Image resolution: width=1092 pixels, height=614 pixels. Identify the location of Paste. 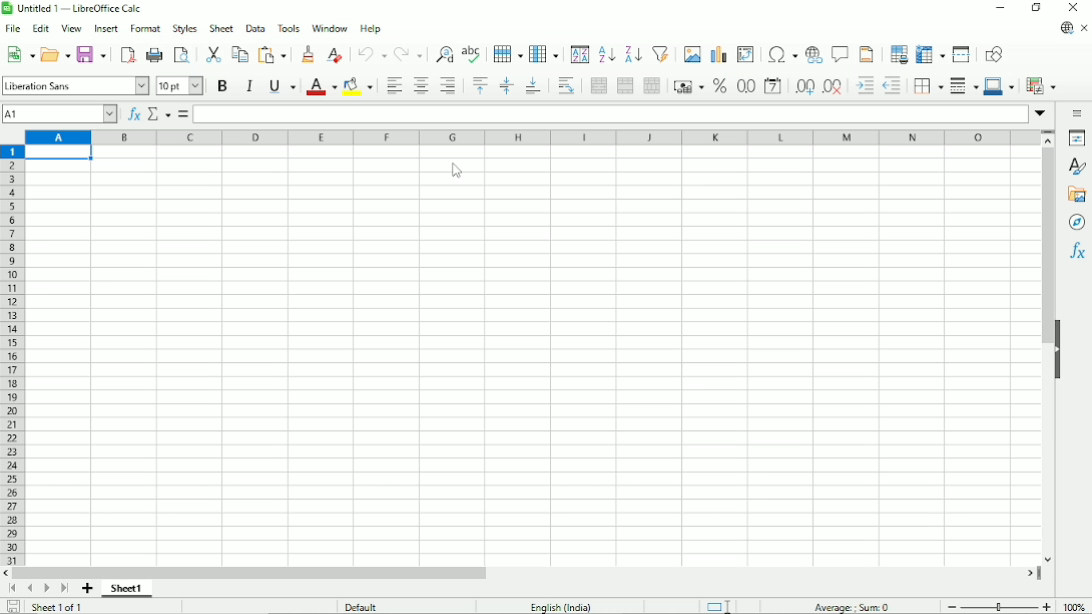
(273, 54).